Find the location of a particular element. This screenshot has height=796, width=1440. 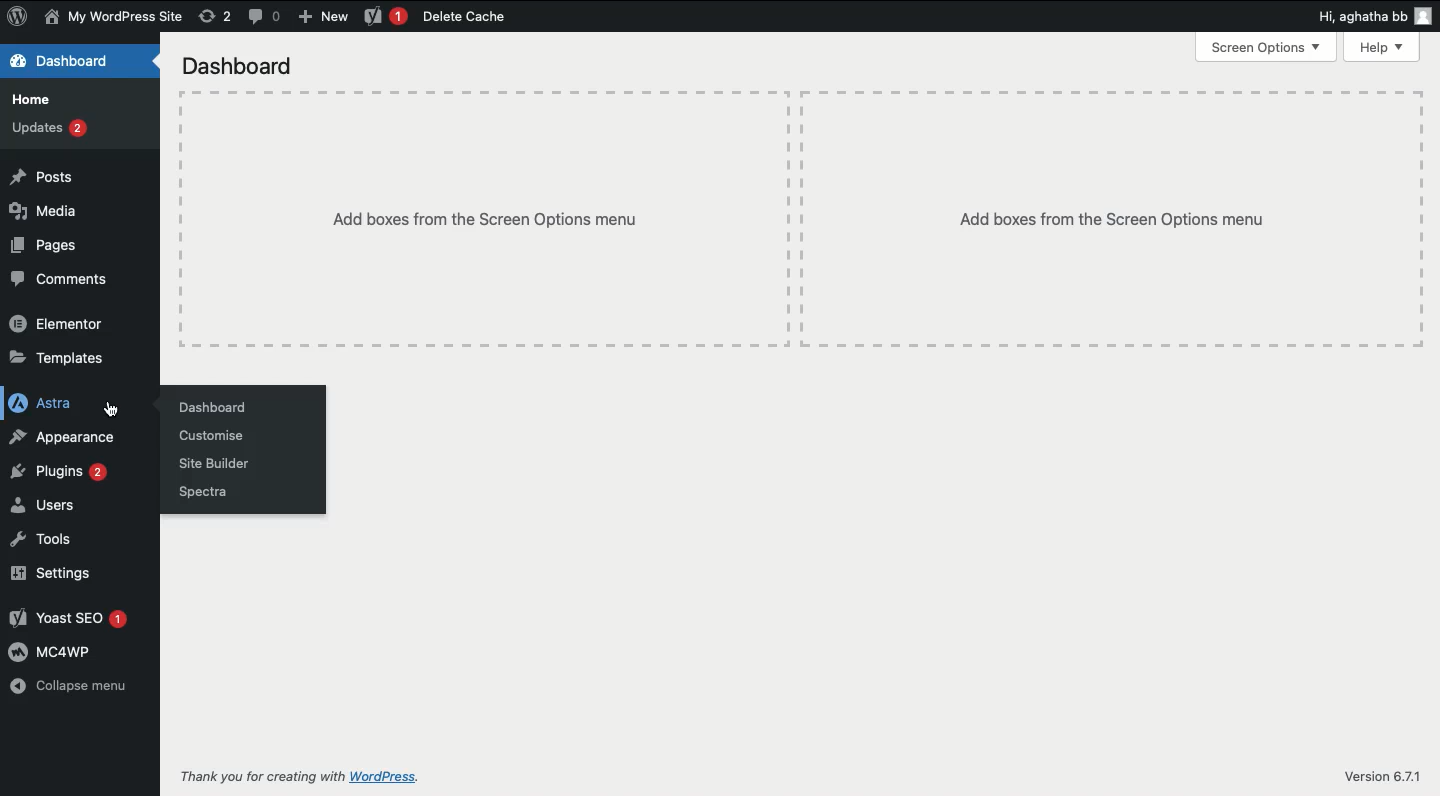

user icon is located at coordinates (1421, 18).